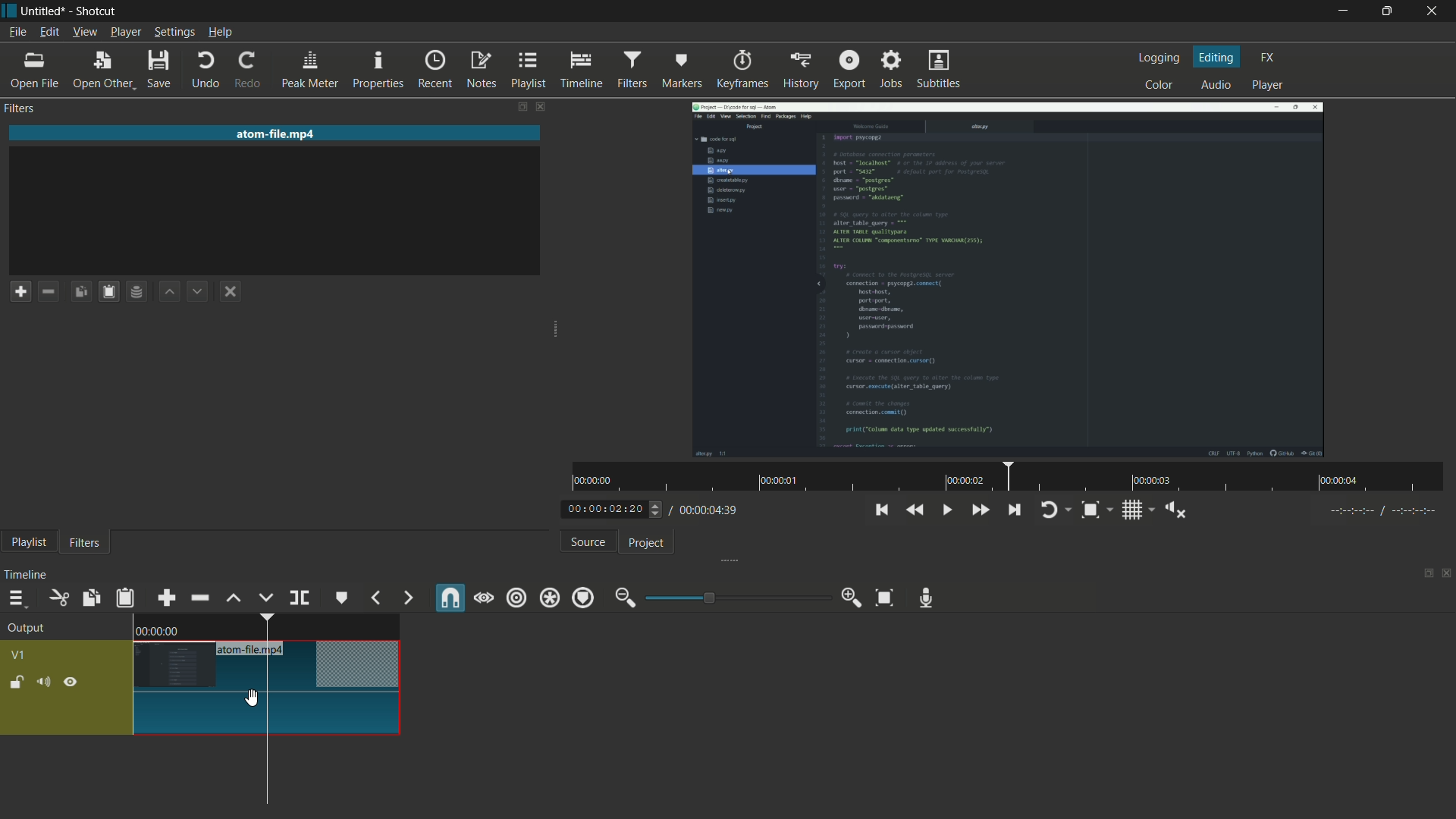 The width and height of the screenshot is (1456, 819). What do you see at coordinates (891, 69) in the screenshot?
I see `jobs` at bounding box center [891, 69].